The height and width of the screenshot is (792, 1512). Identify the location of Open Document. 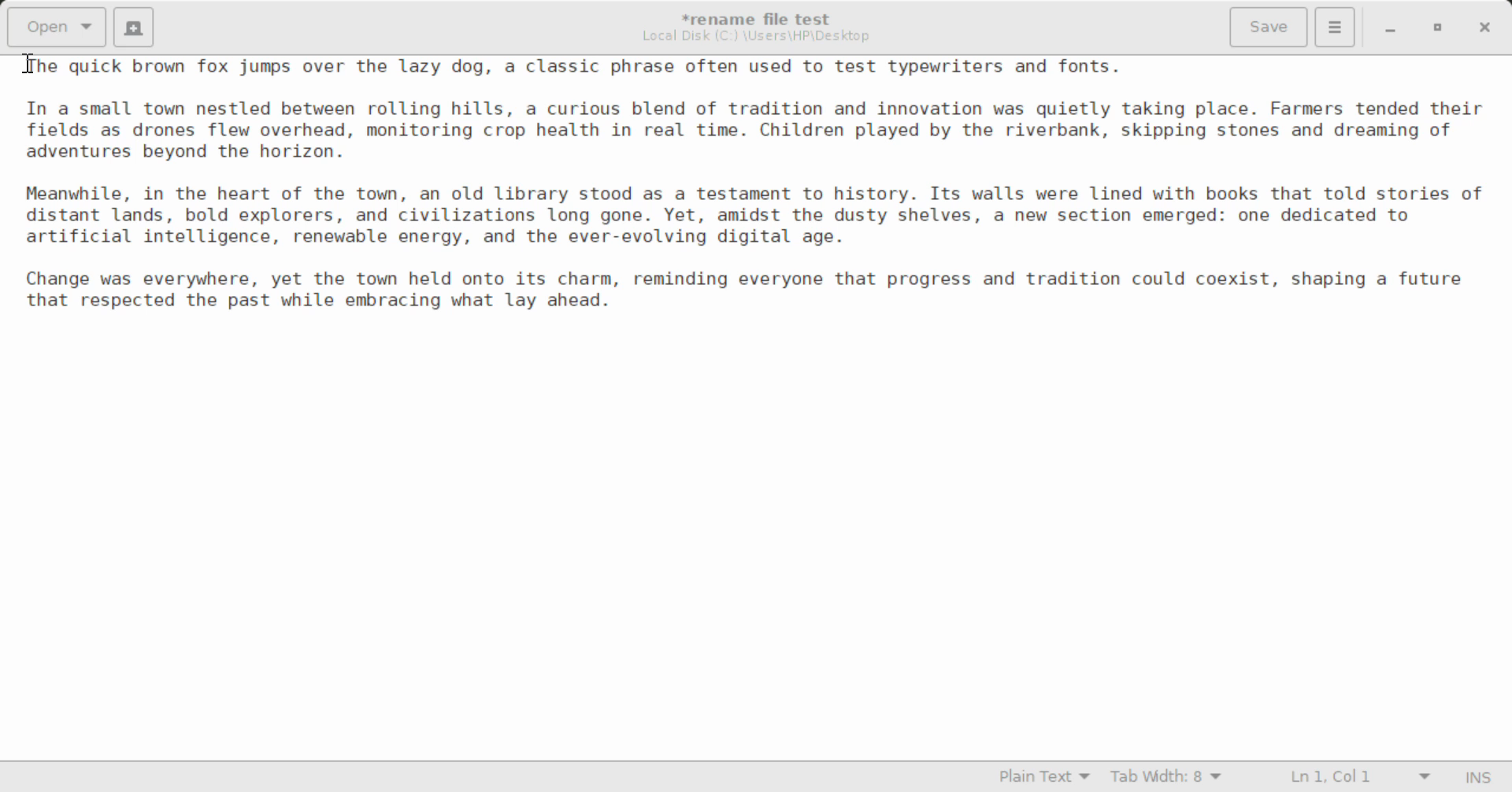
(57, 27).